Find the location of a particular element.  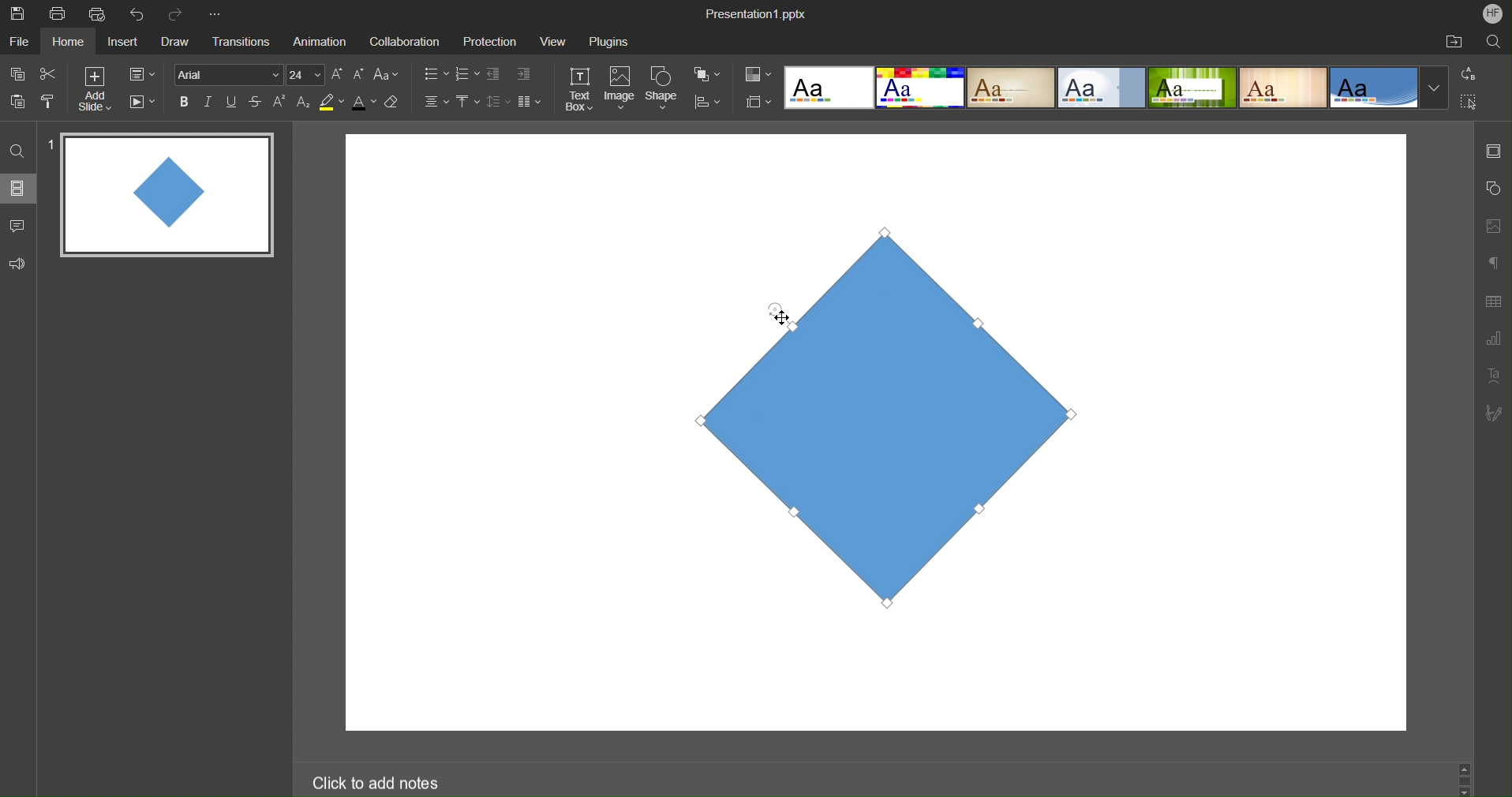

Click to add notes is located at coordinates (377, 783).